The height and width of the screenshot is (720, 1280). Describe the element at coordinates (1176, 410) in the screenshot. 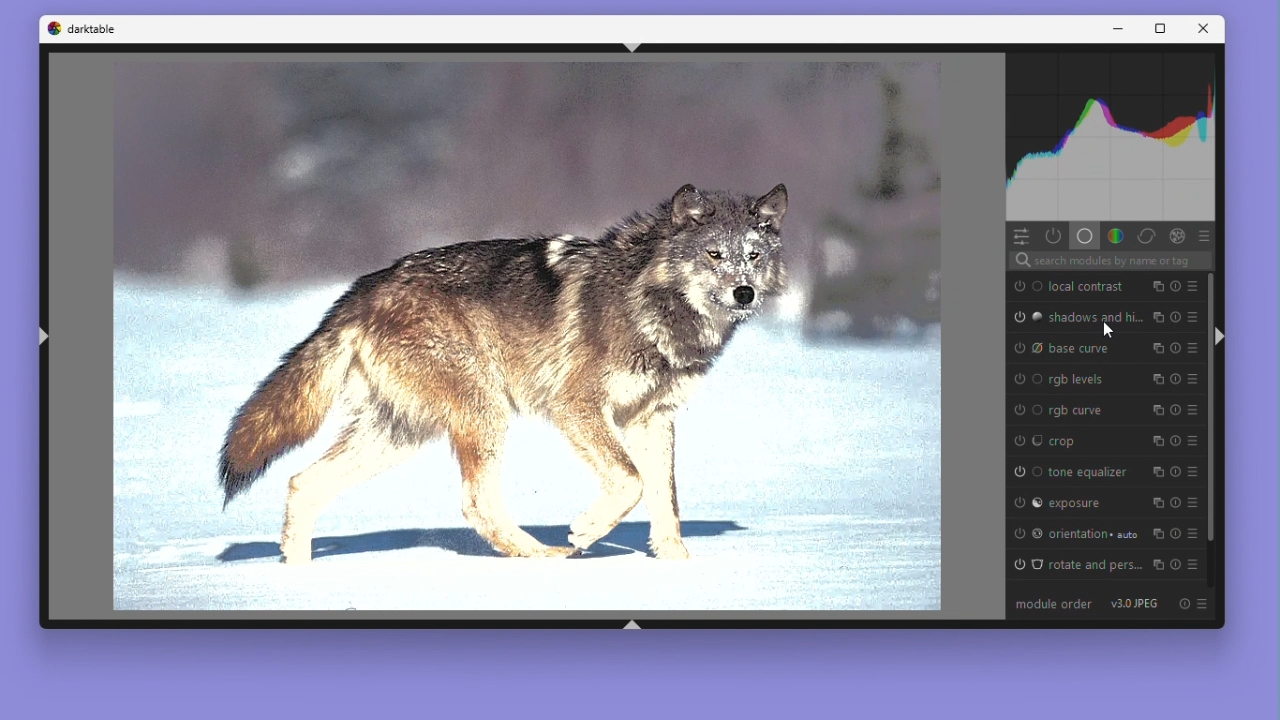

I see `reset parameters` at that location.